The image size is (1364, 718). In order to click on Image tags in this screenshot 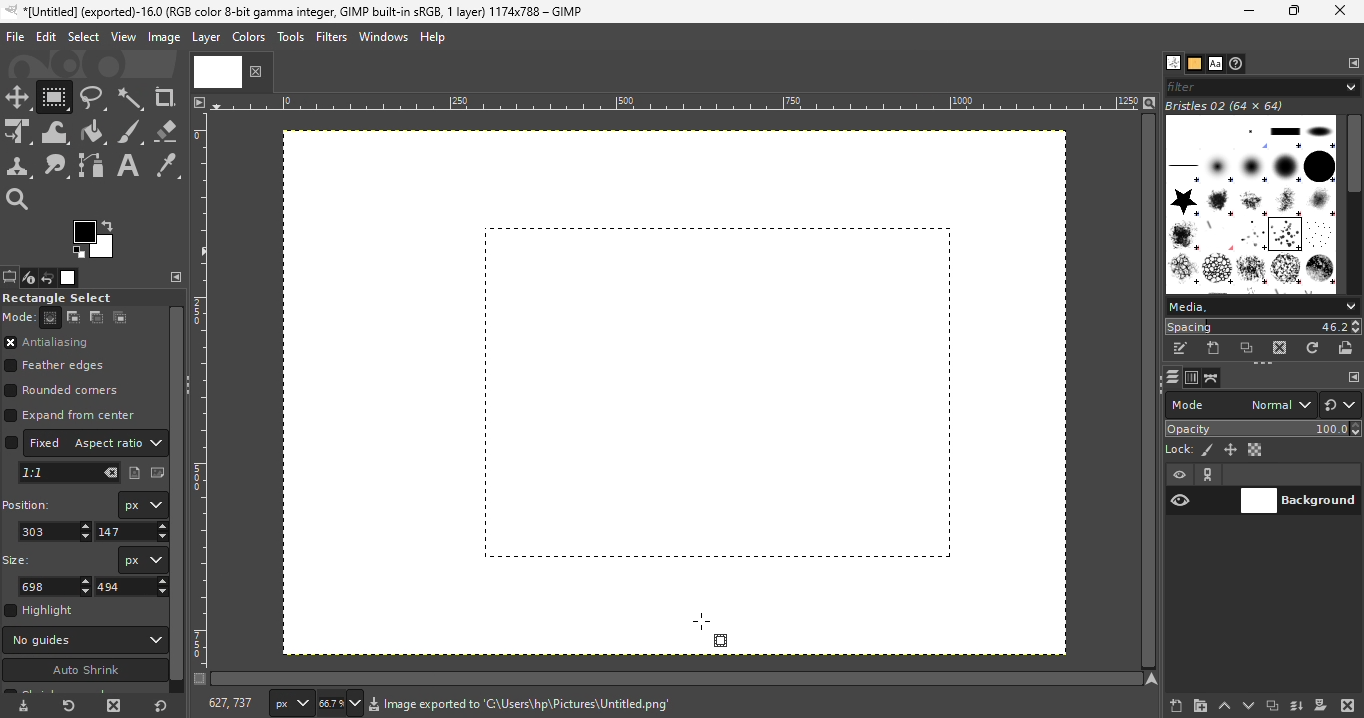, I will do `click(1254, 206)`.